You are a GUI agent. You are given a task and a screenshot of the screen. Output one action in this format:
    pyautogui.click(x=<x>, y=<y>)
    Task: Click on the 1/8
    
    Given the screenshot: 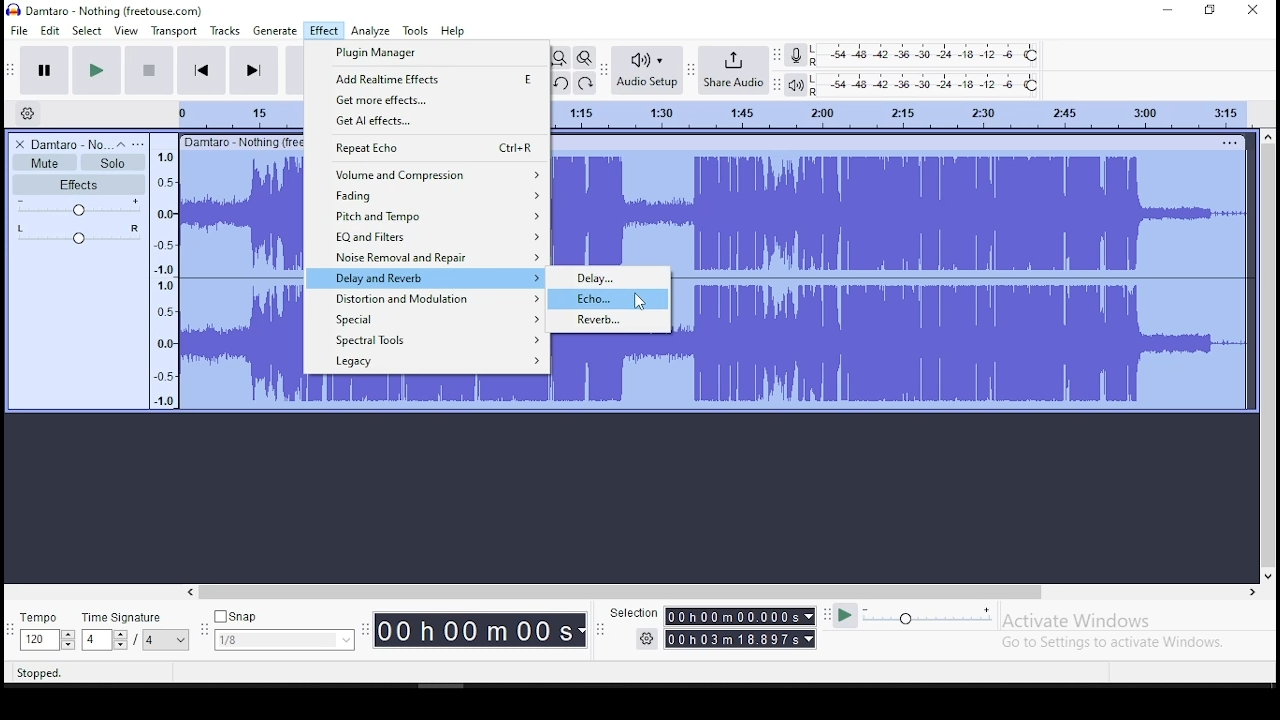 What is the action you would take?
    pyautogui.click(x=270, y=640)
    